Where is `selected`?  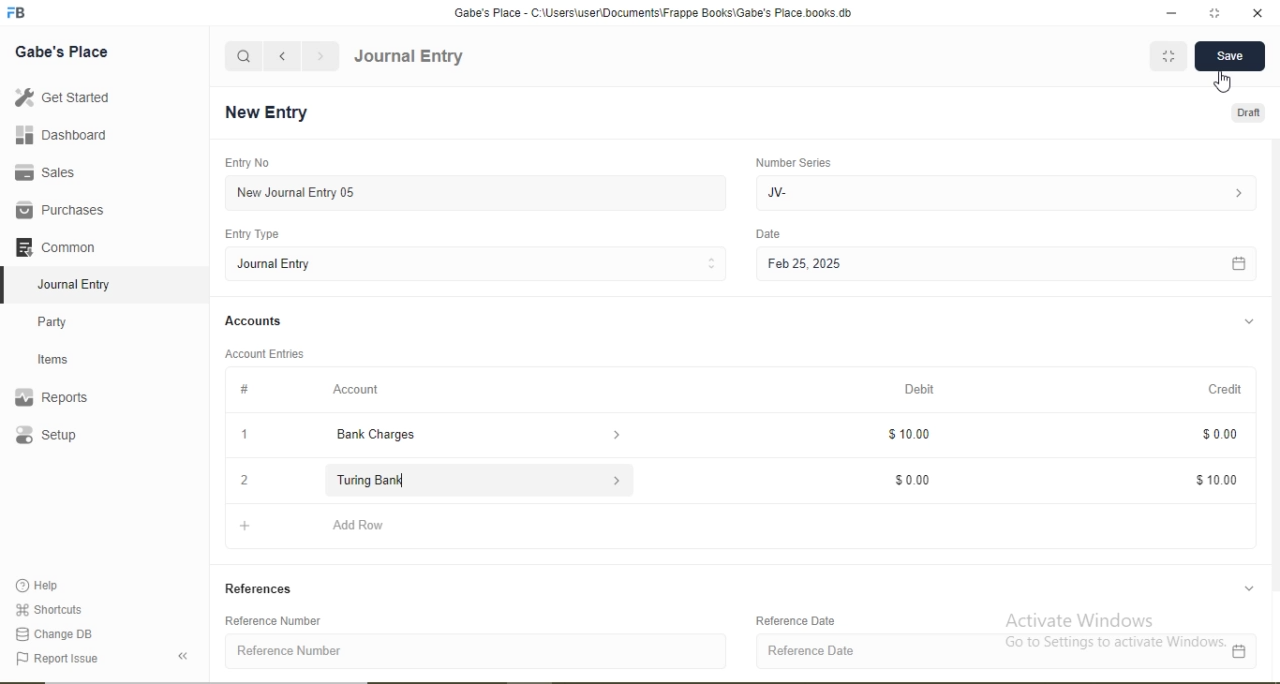 selected is located at coordinates (8, 284).